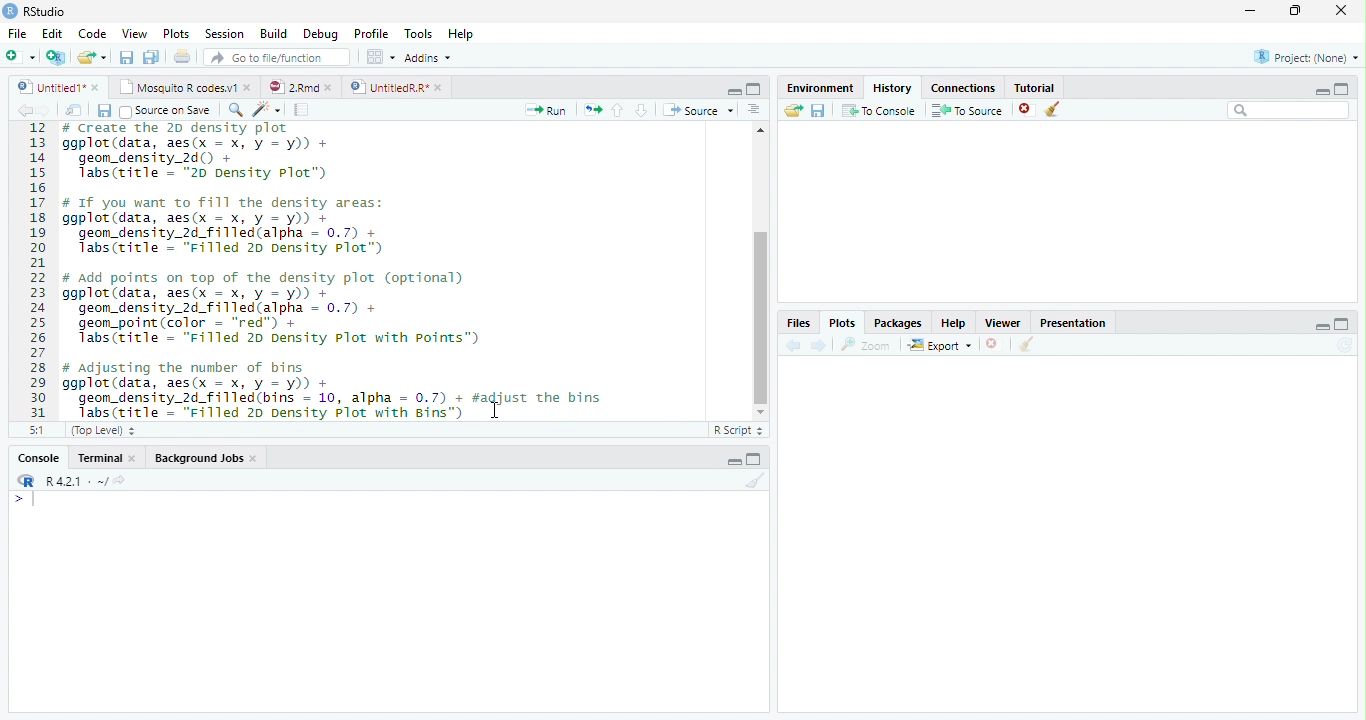 Image resolution: width=1366 pixels, height=720 pixels. What do you see at coordinates (200, 459) in the screenshot?
I see `Background Jobs` at bounding box center [200, 459].